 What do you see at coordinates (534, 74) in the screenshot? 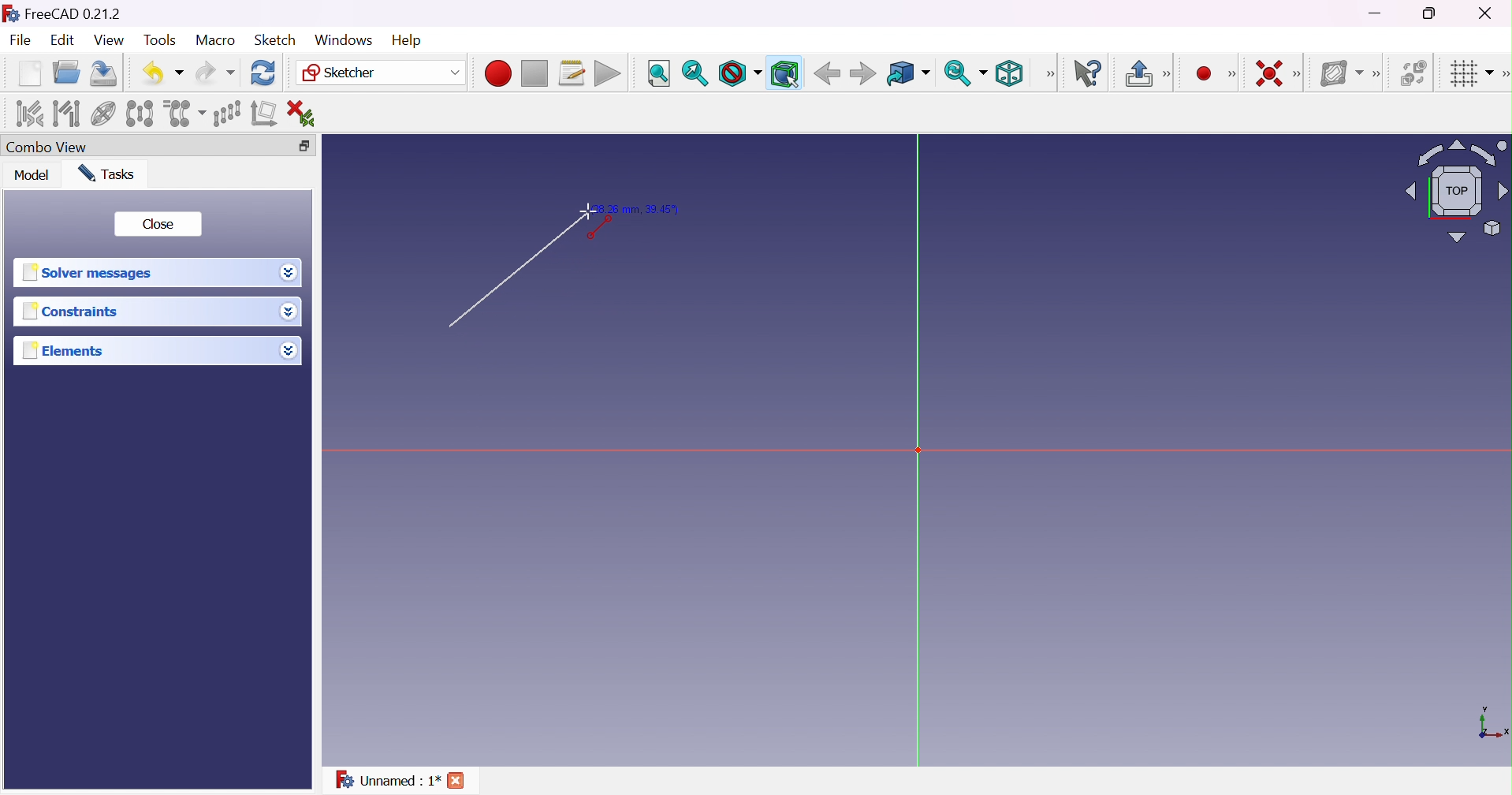
I see `Stop macros recording` at bounding box center [534, 74].